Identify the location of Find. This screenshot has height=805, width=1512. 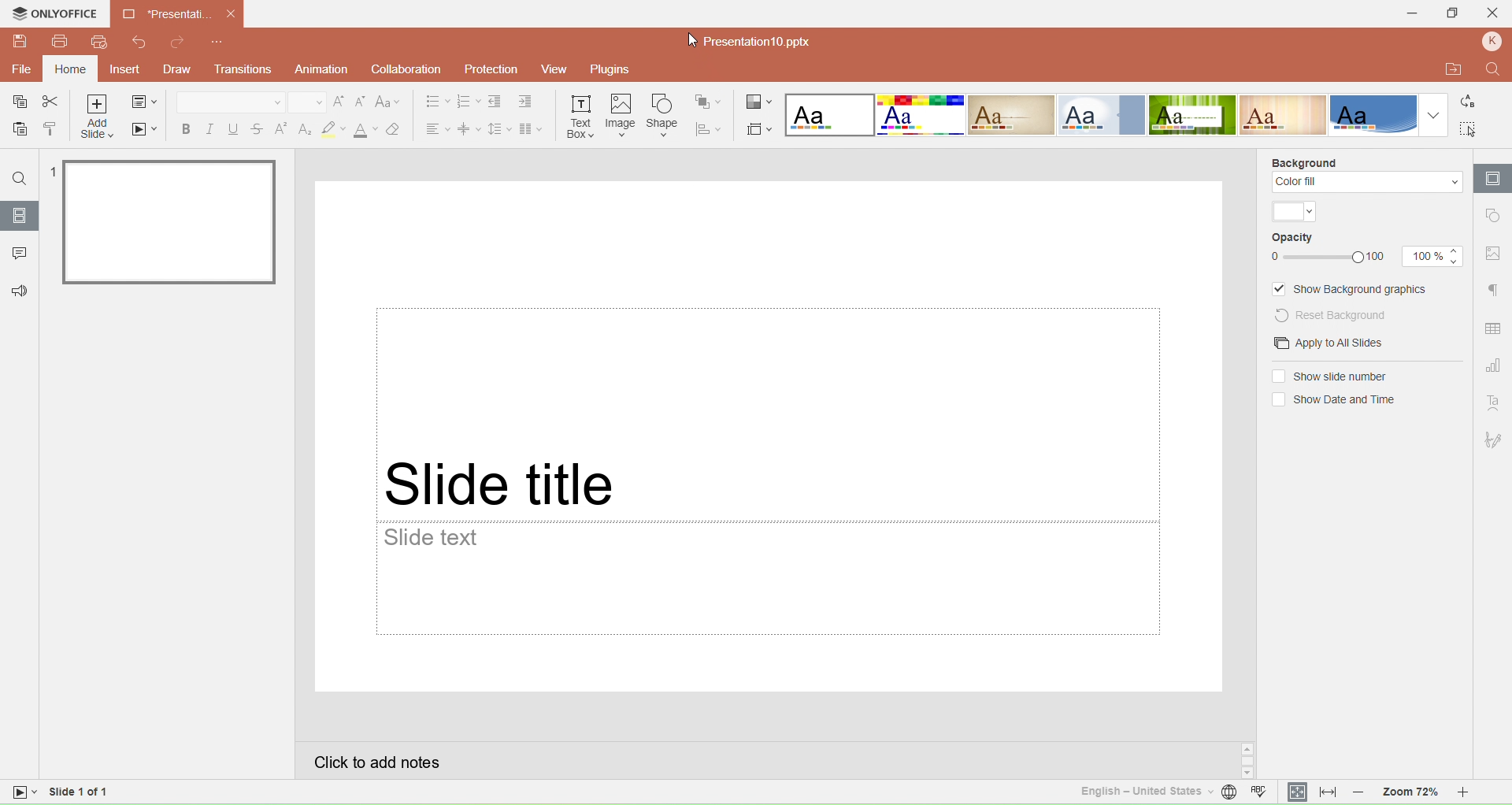
(1492, 69).